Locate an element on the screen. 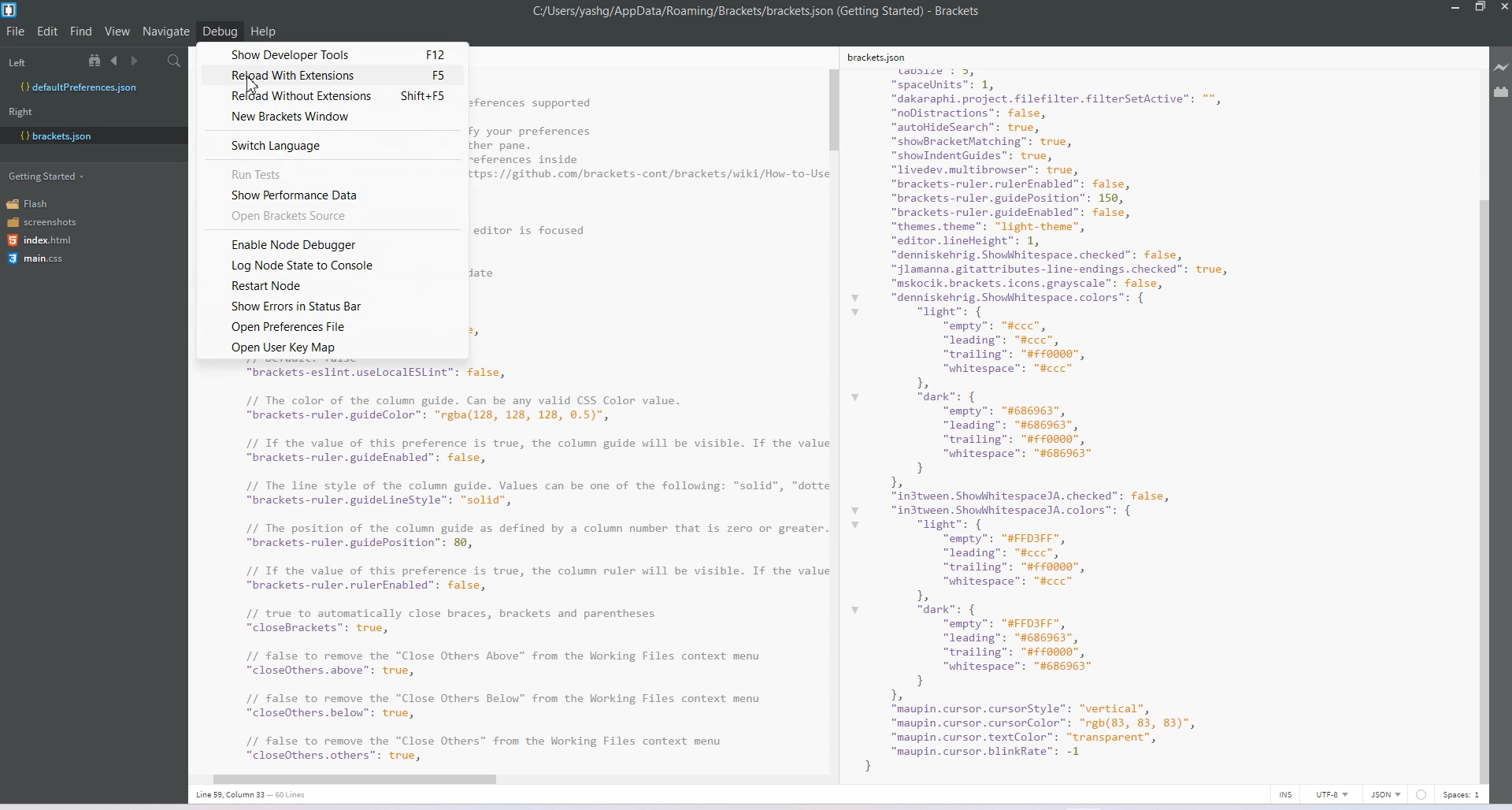  File is located at coordinates (16, 31).